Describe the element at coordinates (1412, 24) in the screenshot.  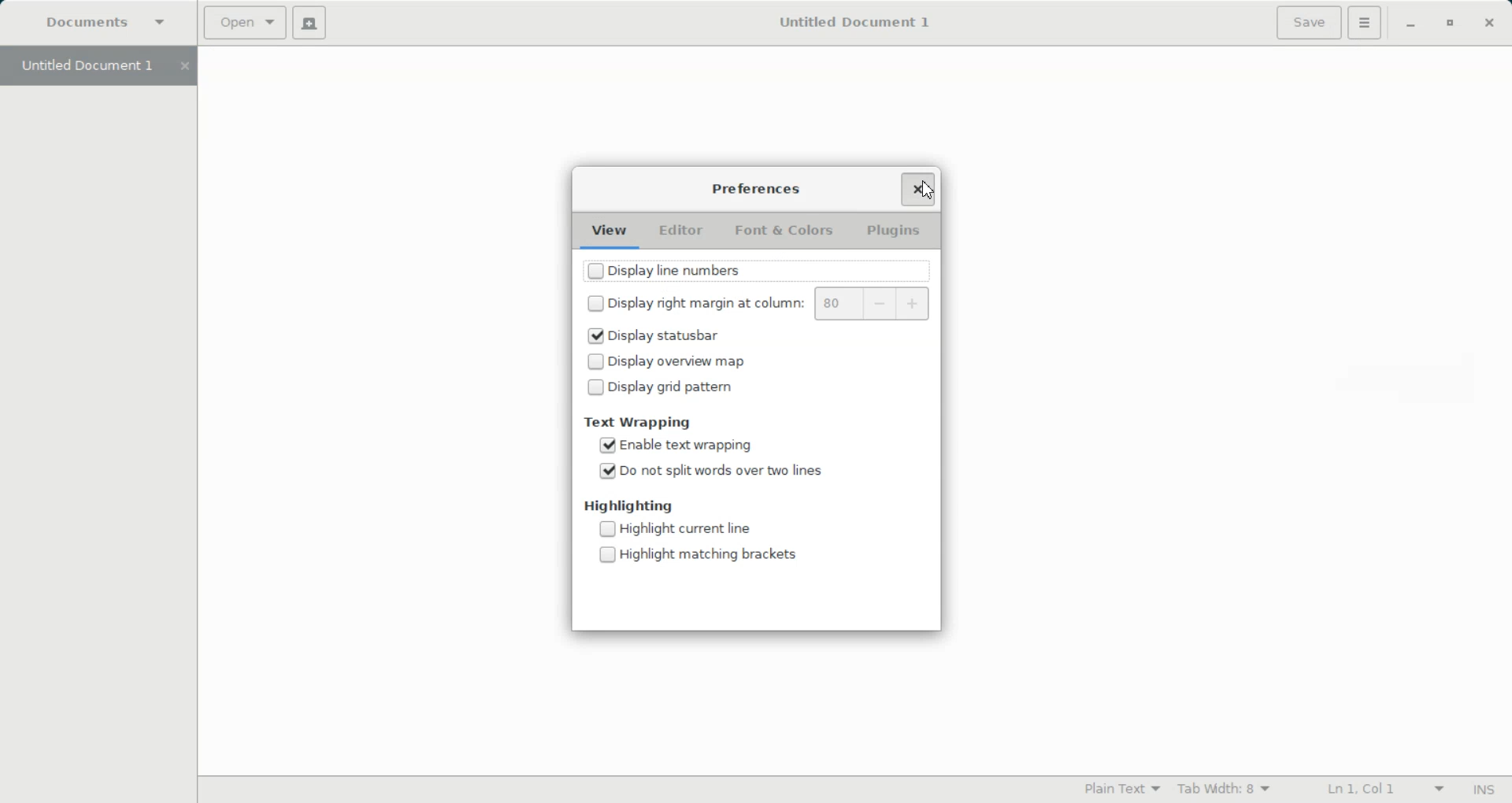
I see `Minimize` at that location.